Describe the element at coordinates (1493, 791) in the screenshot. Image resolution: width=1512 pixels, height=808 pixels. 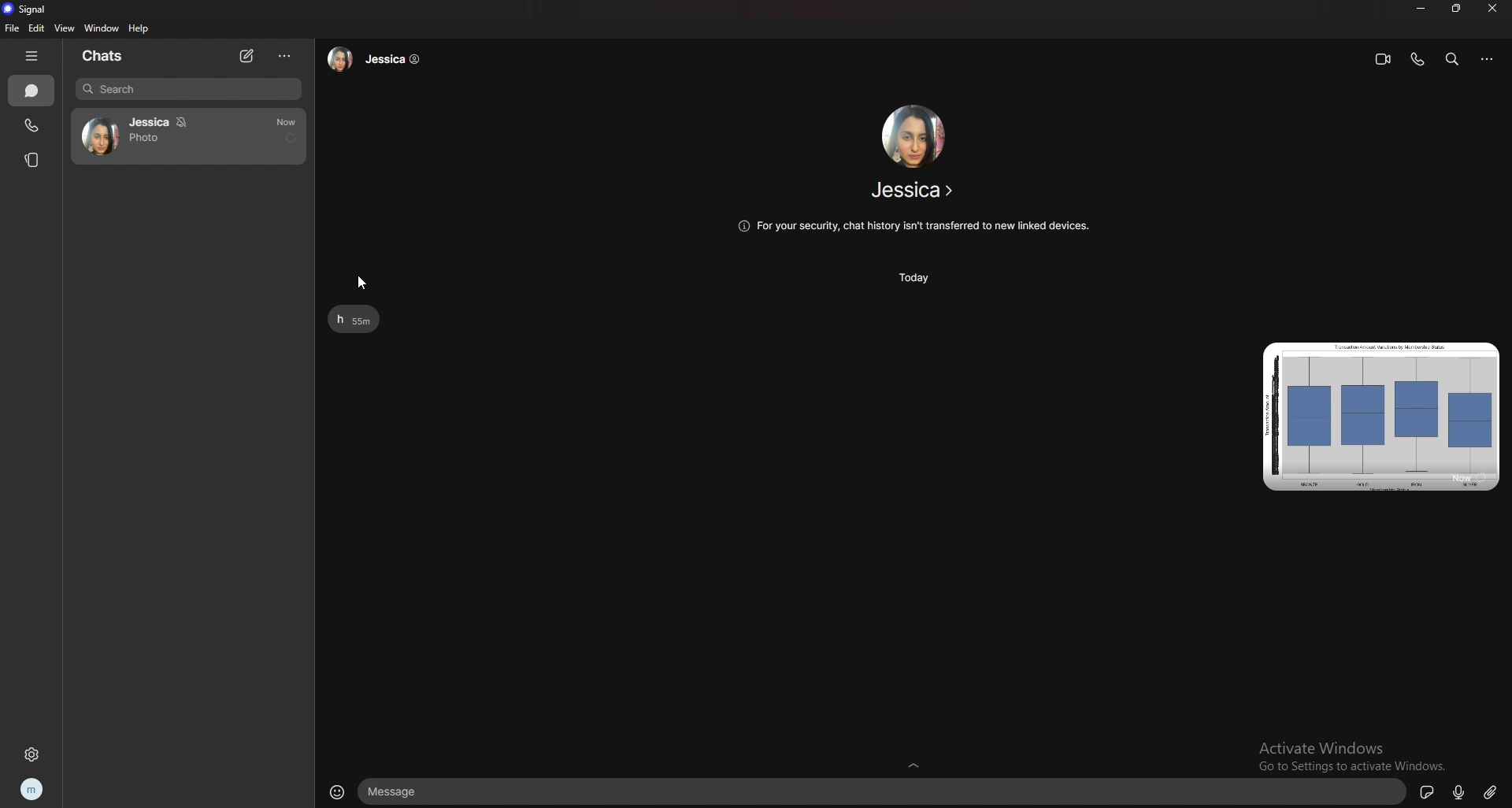
I see `attachment` at that location.